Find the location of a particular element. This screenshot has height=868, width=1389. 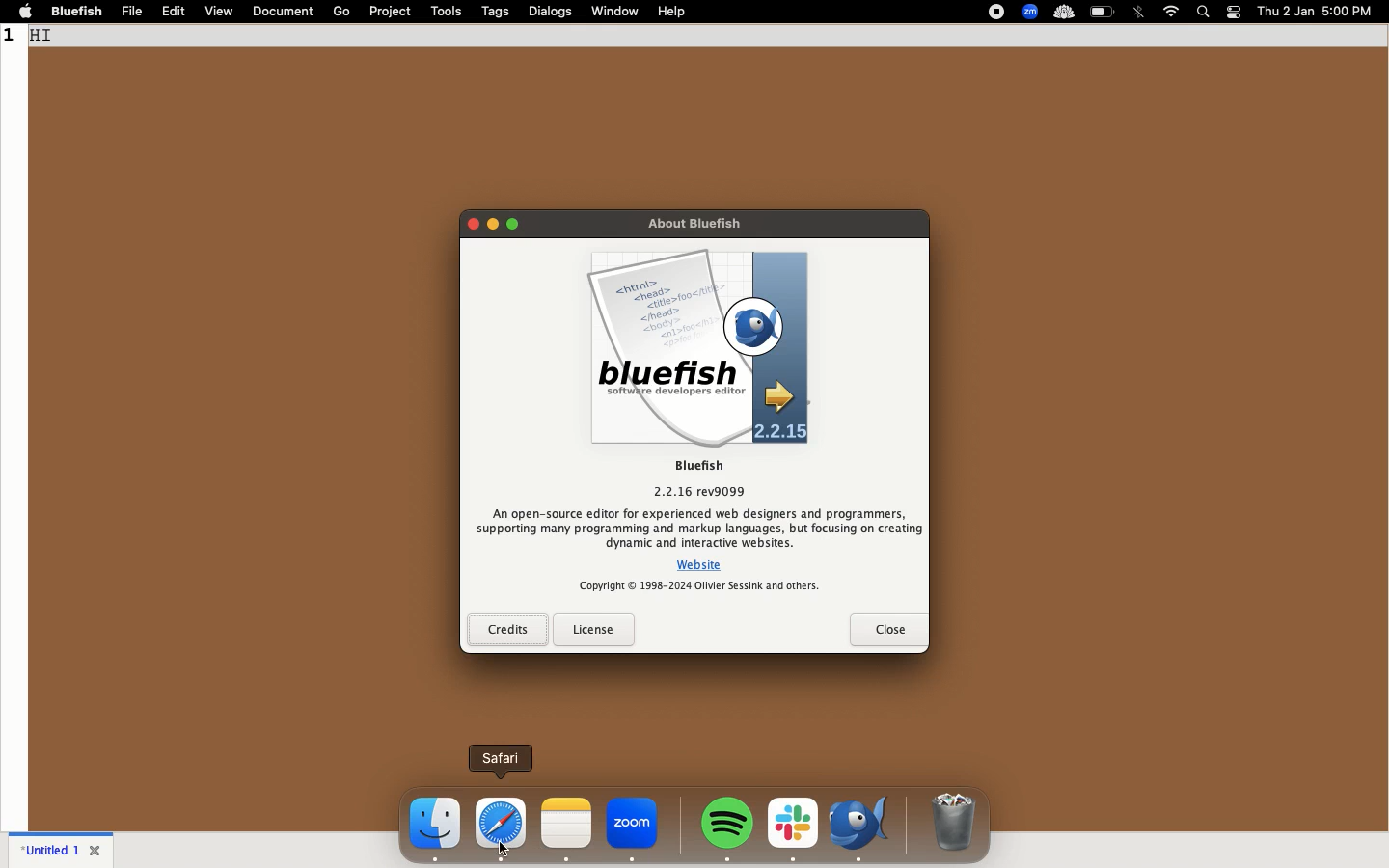

trash is located at coordinates (951, 825).